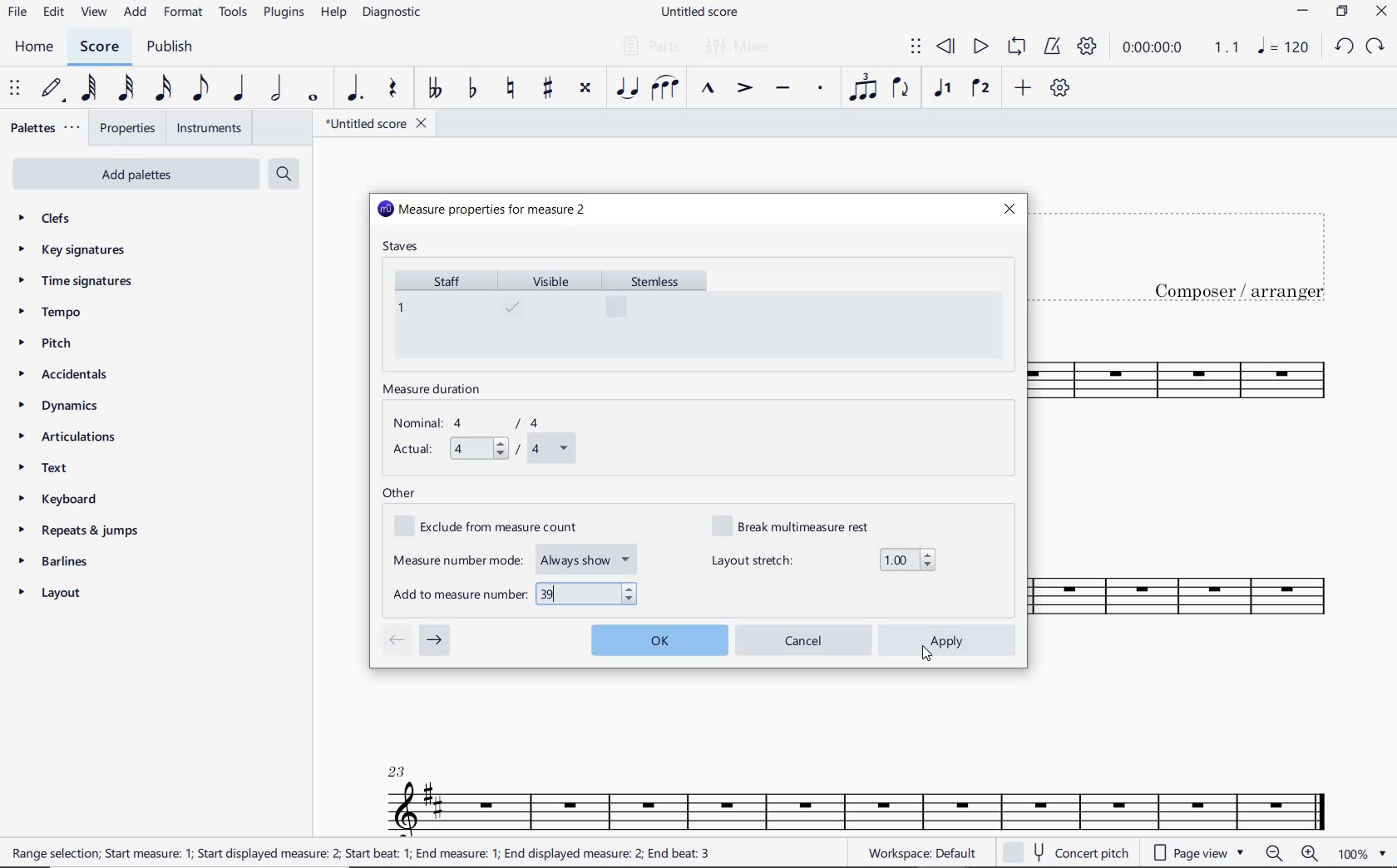 Image resolution: width=1397 pixels, height=868 pixels. I want to click on REPEATS & JUMPS, so click(79, 533).